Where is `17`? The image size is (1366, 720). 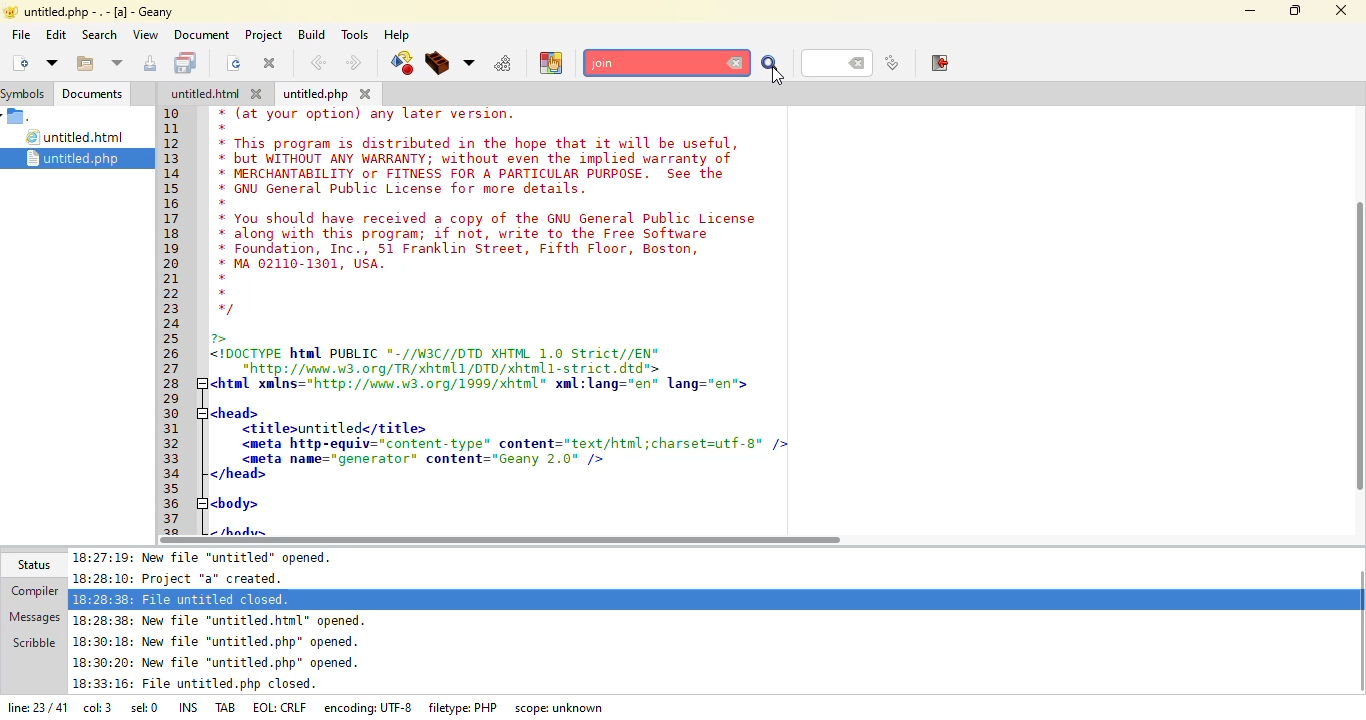 17 is located at coordinates (172, 219).